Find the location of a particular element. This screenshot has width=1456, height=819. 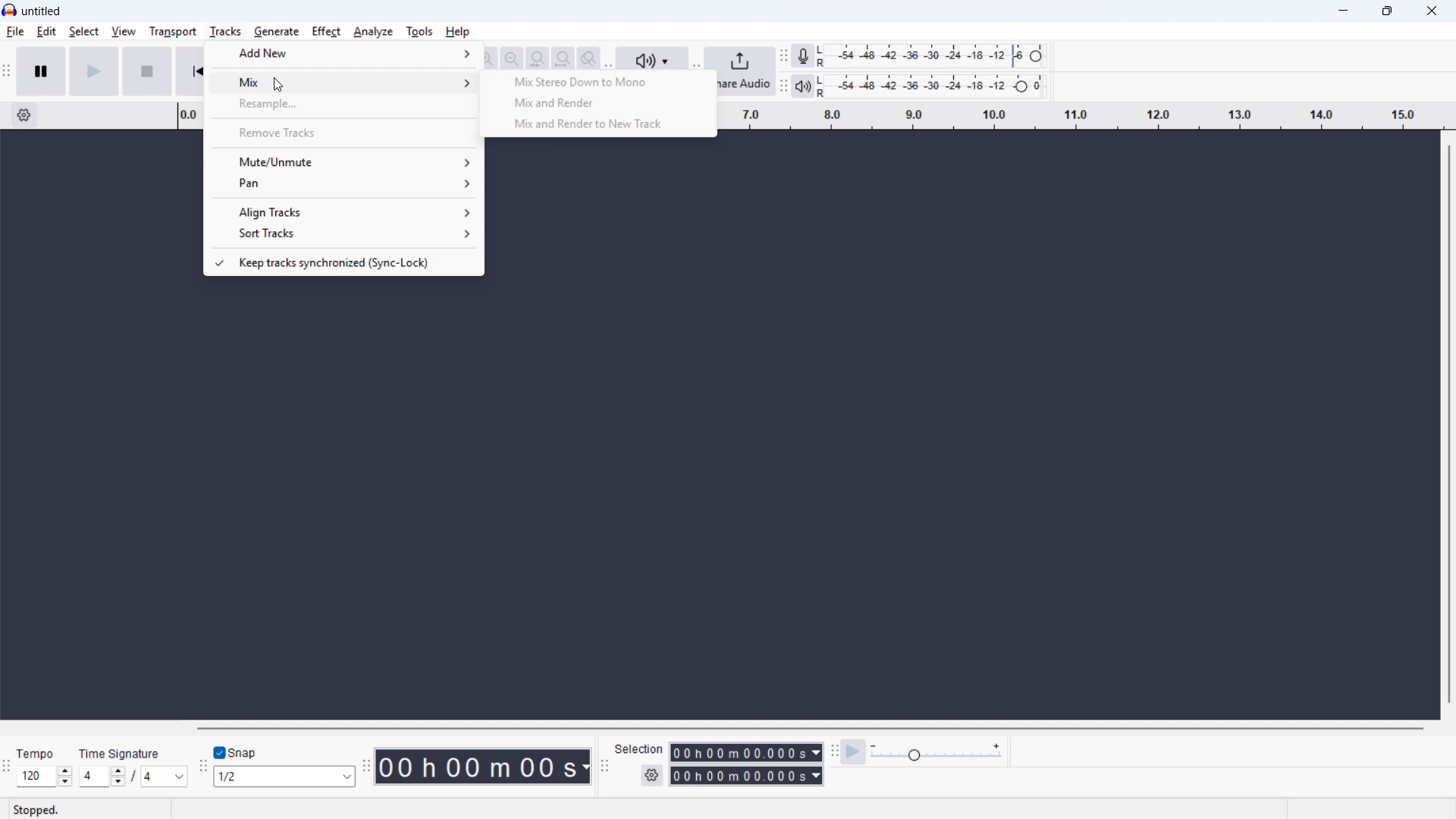

Play at speed toolbar  is located at coordinates (833, 753).